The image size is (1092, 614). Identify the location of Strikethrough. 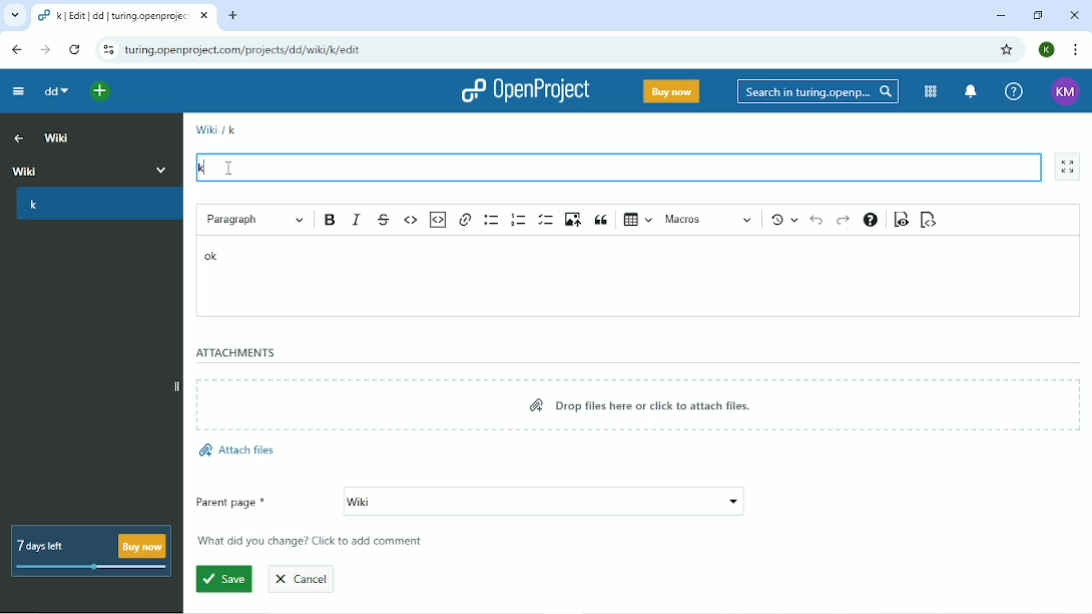
(384, 219).